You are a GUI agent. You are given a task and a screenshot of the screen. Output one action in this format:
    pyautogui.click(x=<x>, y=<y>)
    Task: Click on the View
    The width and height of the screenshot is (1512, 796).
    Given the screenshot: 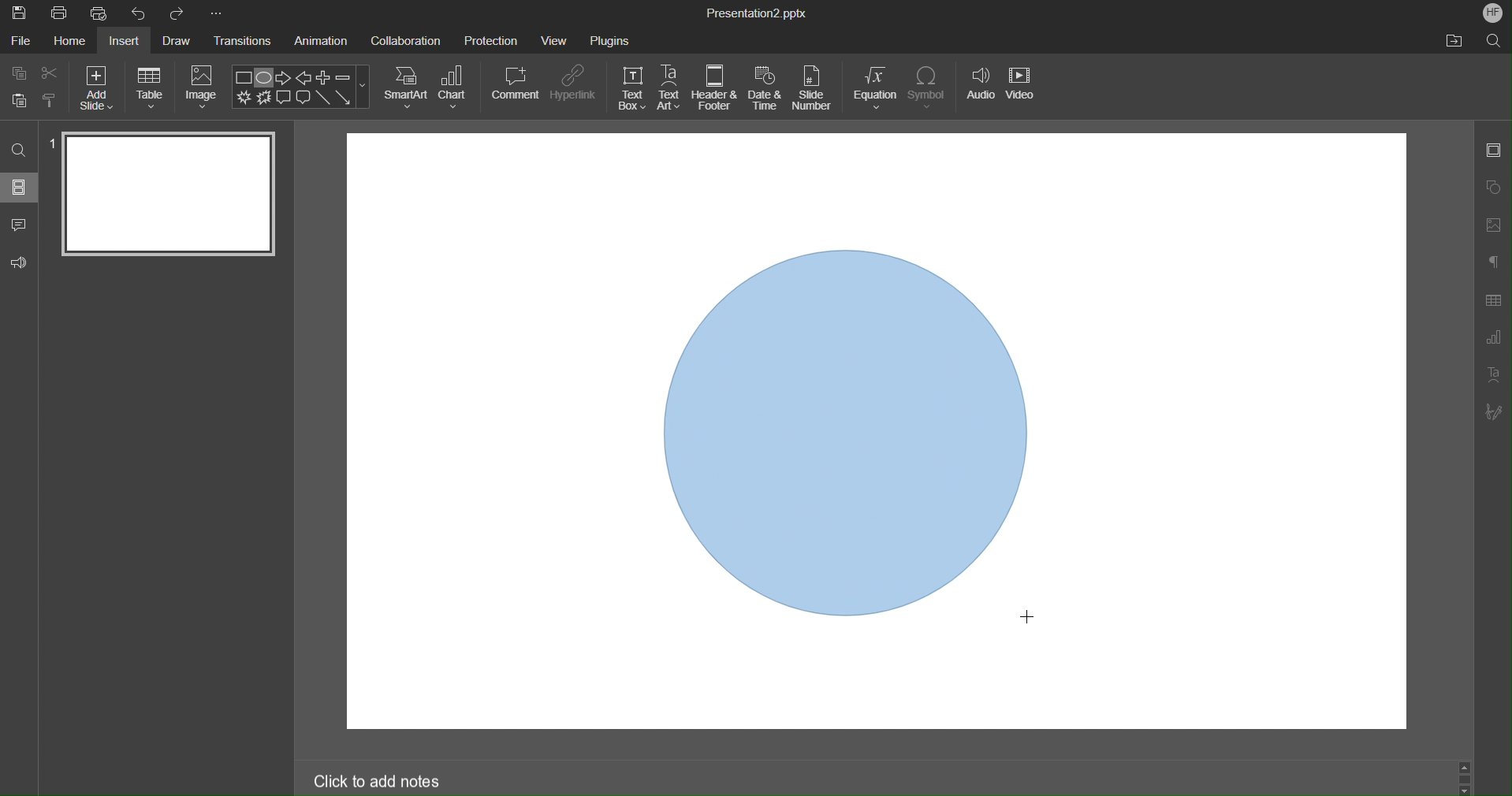 What is the action you would take?
    pyautogui.click(x=556, y=40)
    